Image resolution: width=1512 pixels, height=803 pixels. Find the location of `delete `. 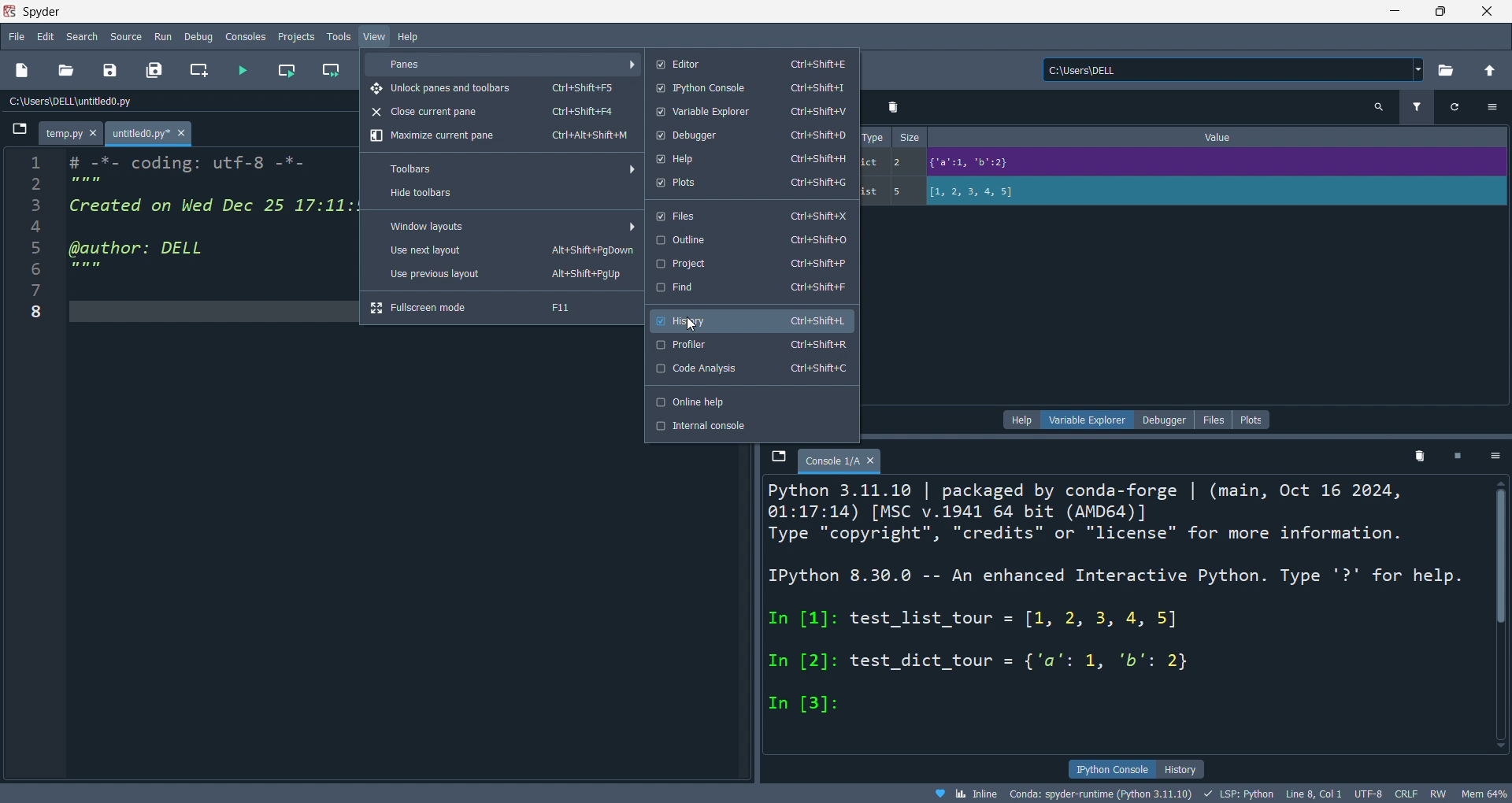

delete  is located at coordinates (1421, 460).